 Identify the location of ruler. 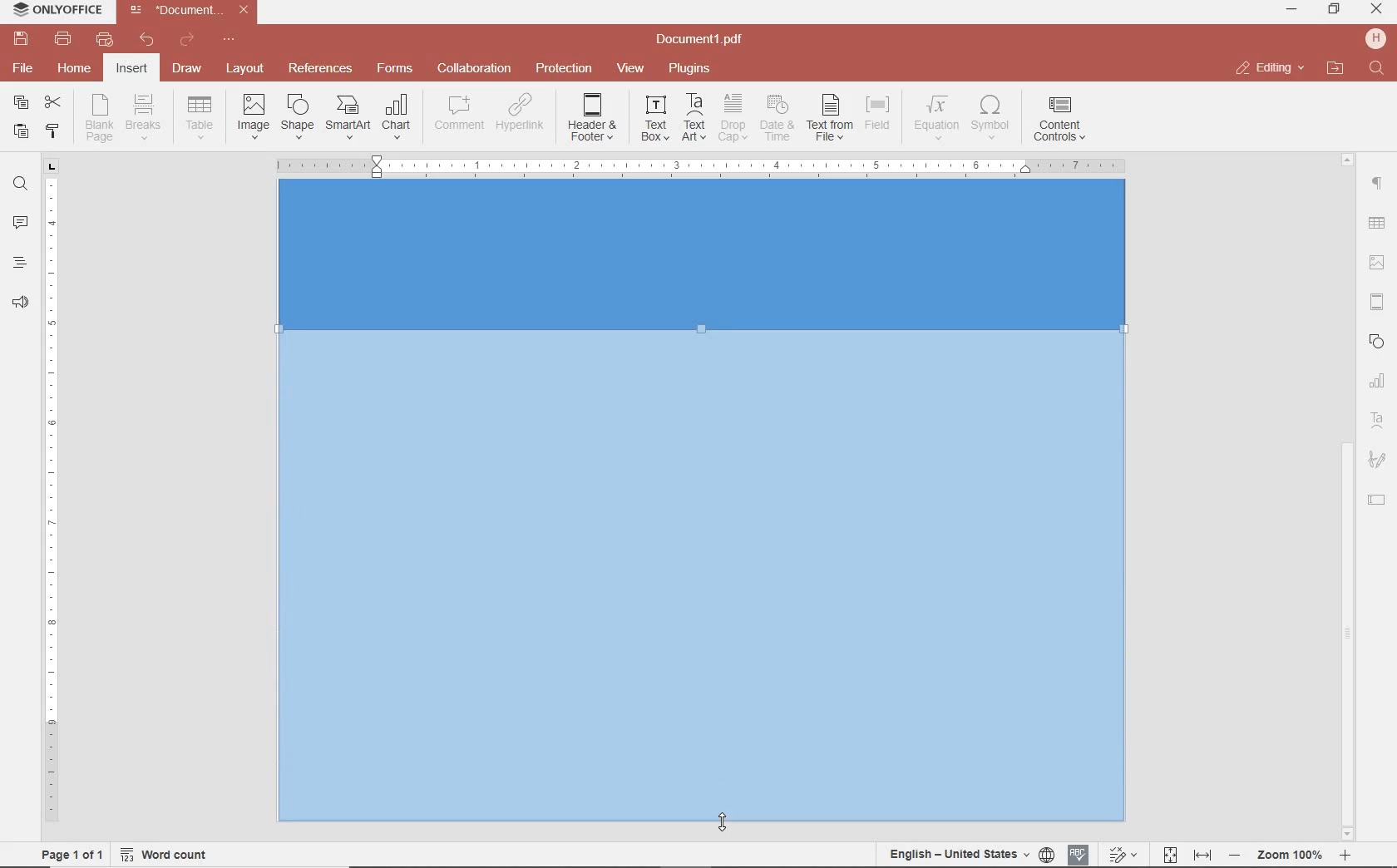
(52, 508).